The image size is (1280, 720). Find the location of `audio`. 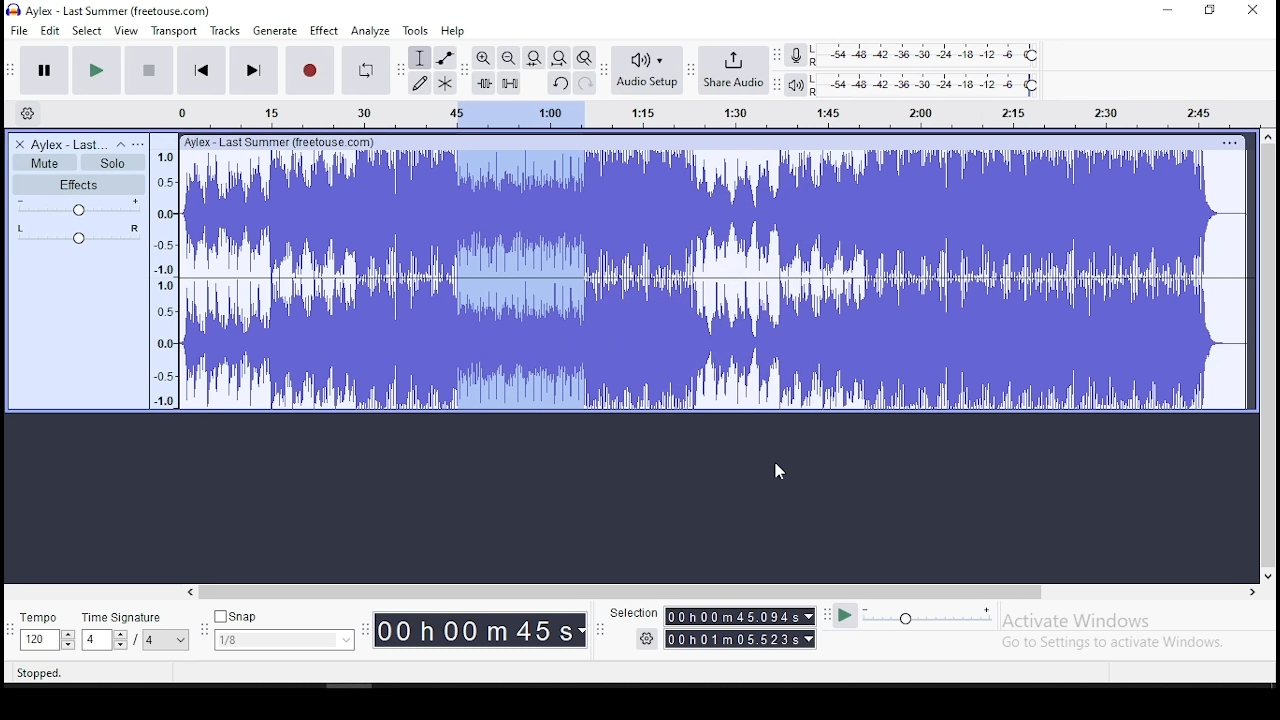

audio is located at coordinates (70, 145).